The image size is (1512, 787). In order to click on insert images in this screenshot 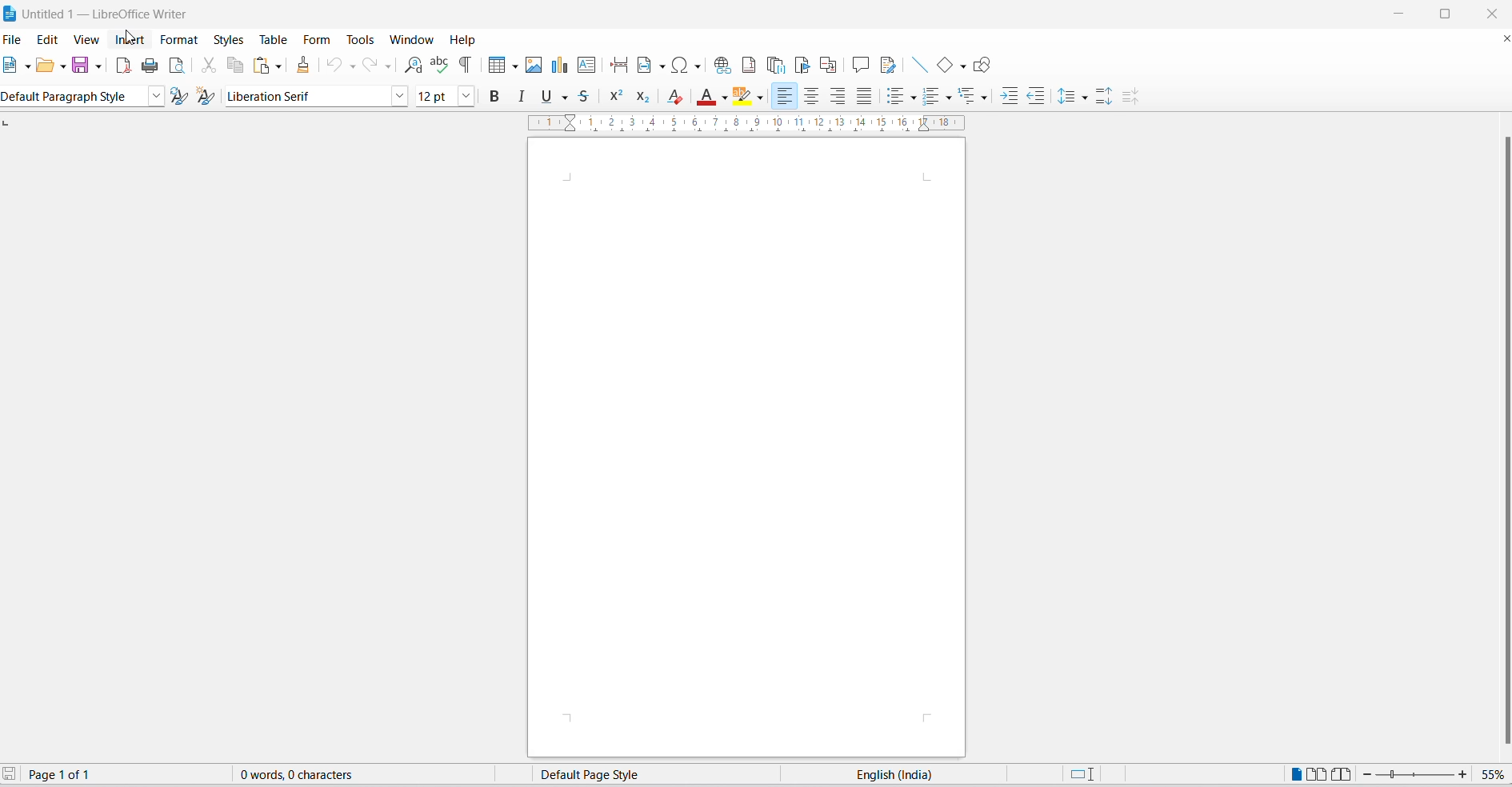, I will do `click(534, 66)`.